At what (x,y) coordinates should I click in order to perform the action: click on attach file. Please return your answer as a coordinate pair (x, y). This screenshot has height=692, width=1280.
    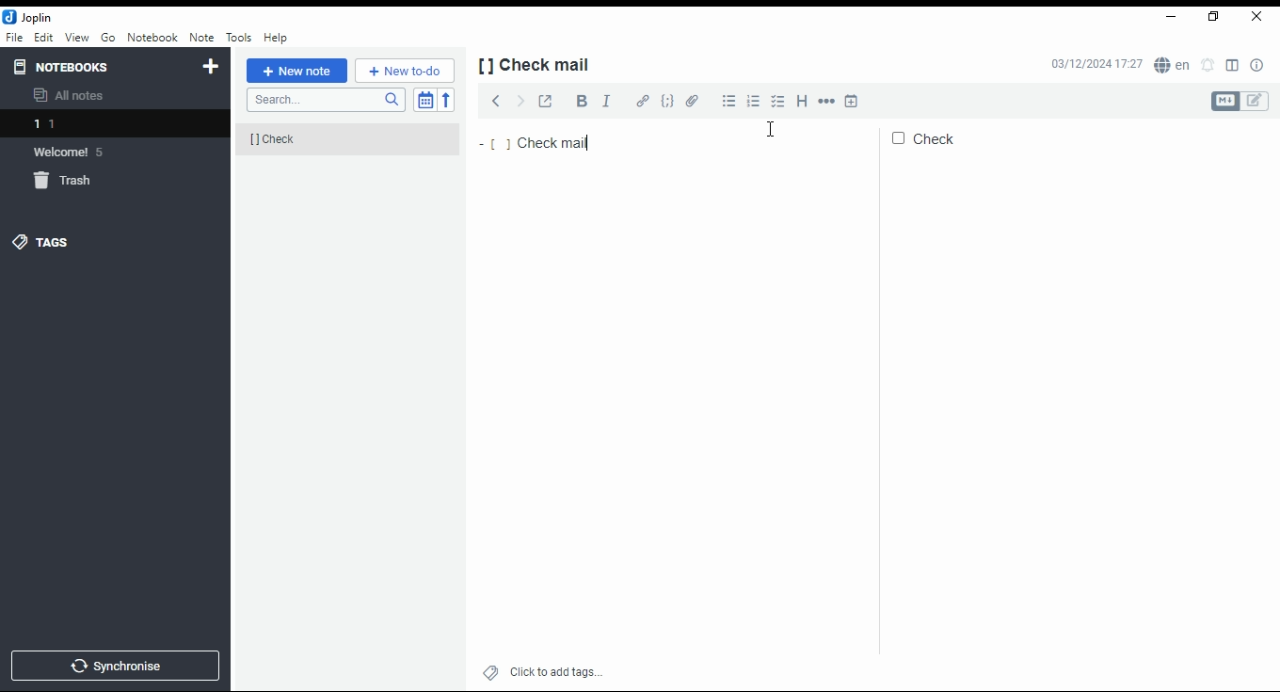
    Looking at the image, I should click on (691, 102).